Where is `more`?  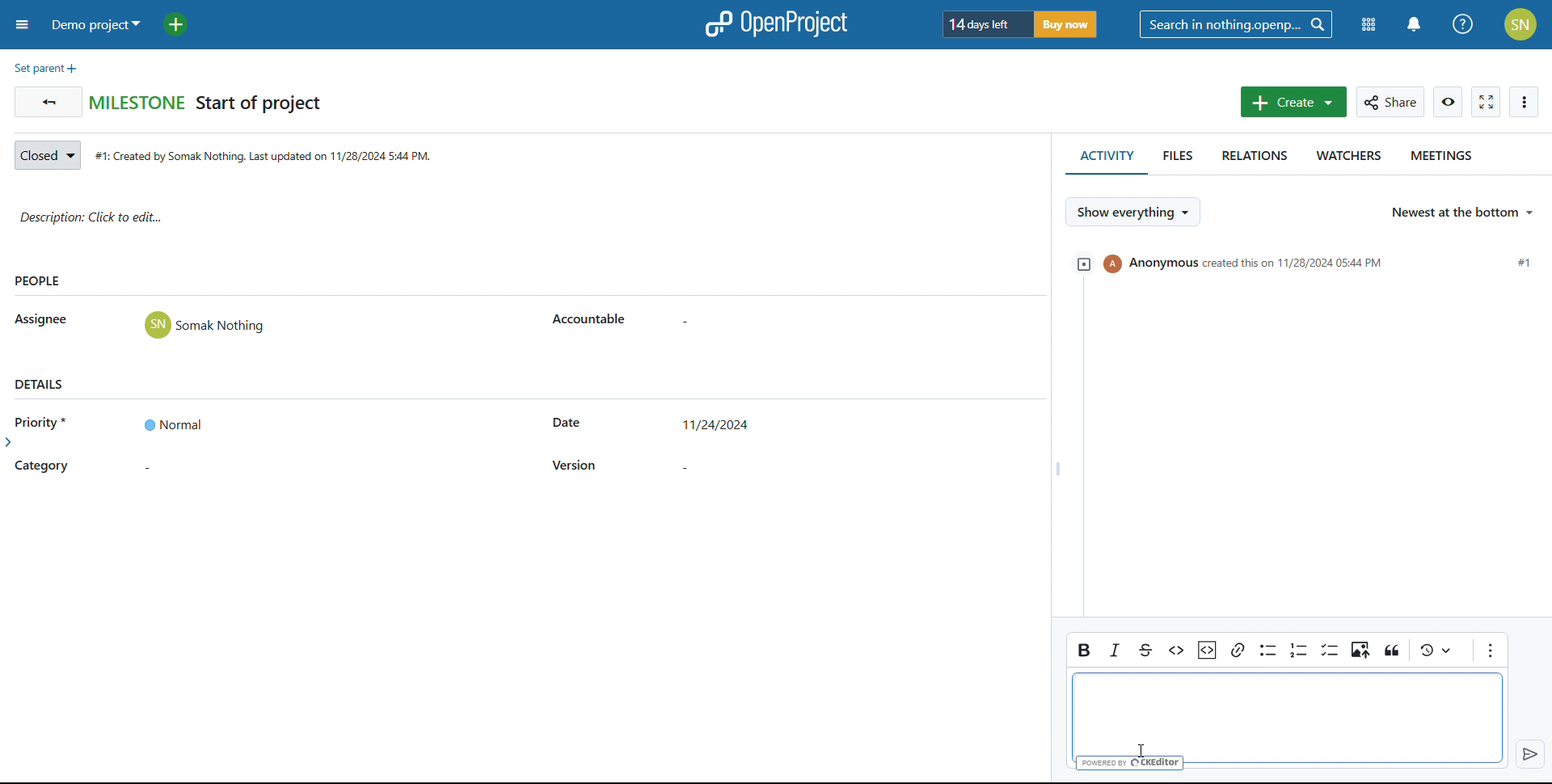 more is located at coordinates (1525, 103).